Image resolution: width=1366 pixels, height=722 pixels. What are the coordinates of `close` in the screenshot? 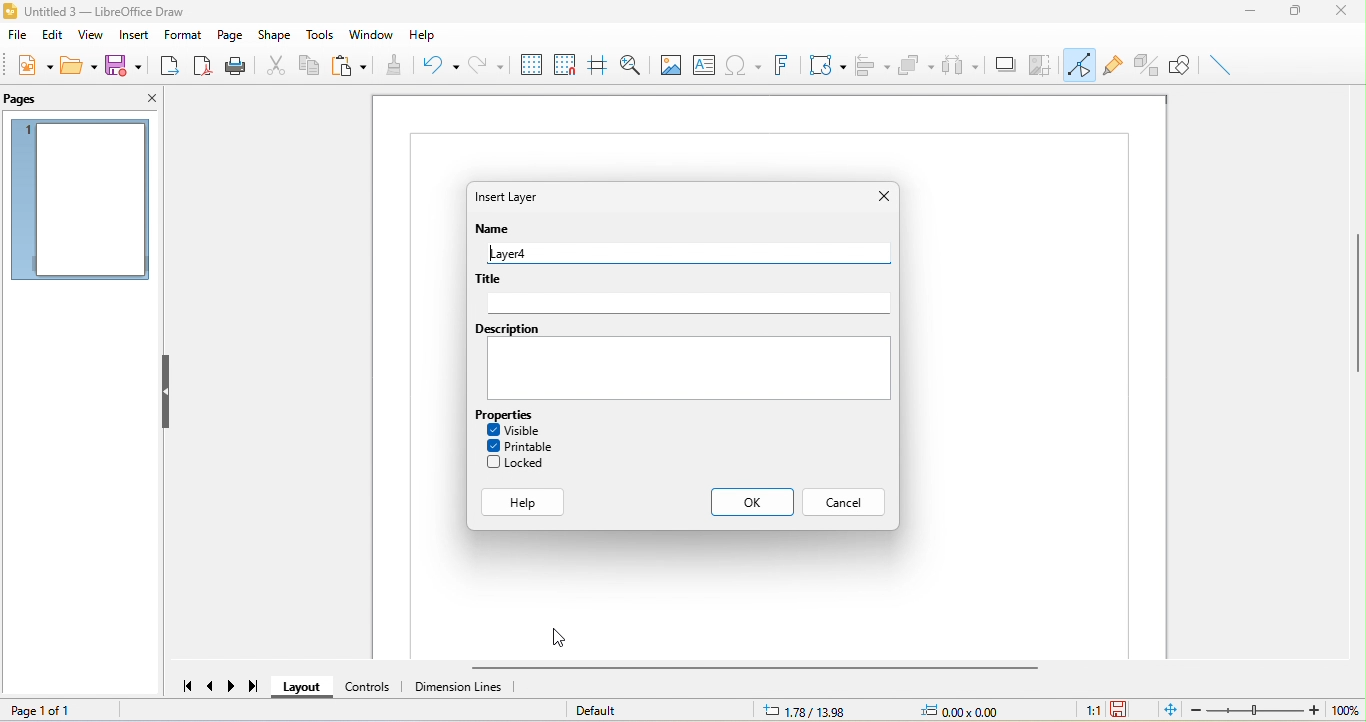 It's located at (1340, 12).